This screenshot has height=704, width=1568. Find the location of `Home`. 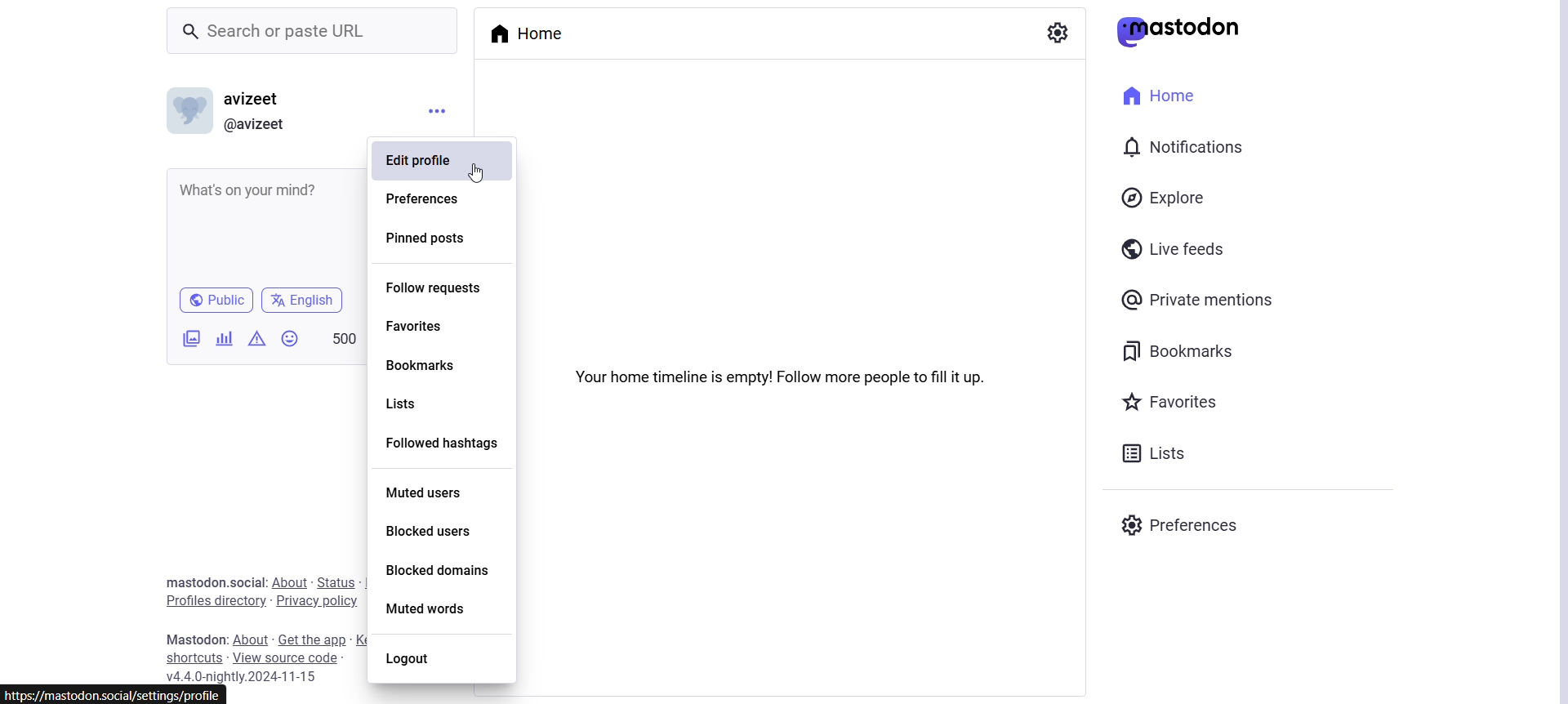

Home is located at coordinates (1161, 96).